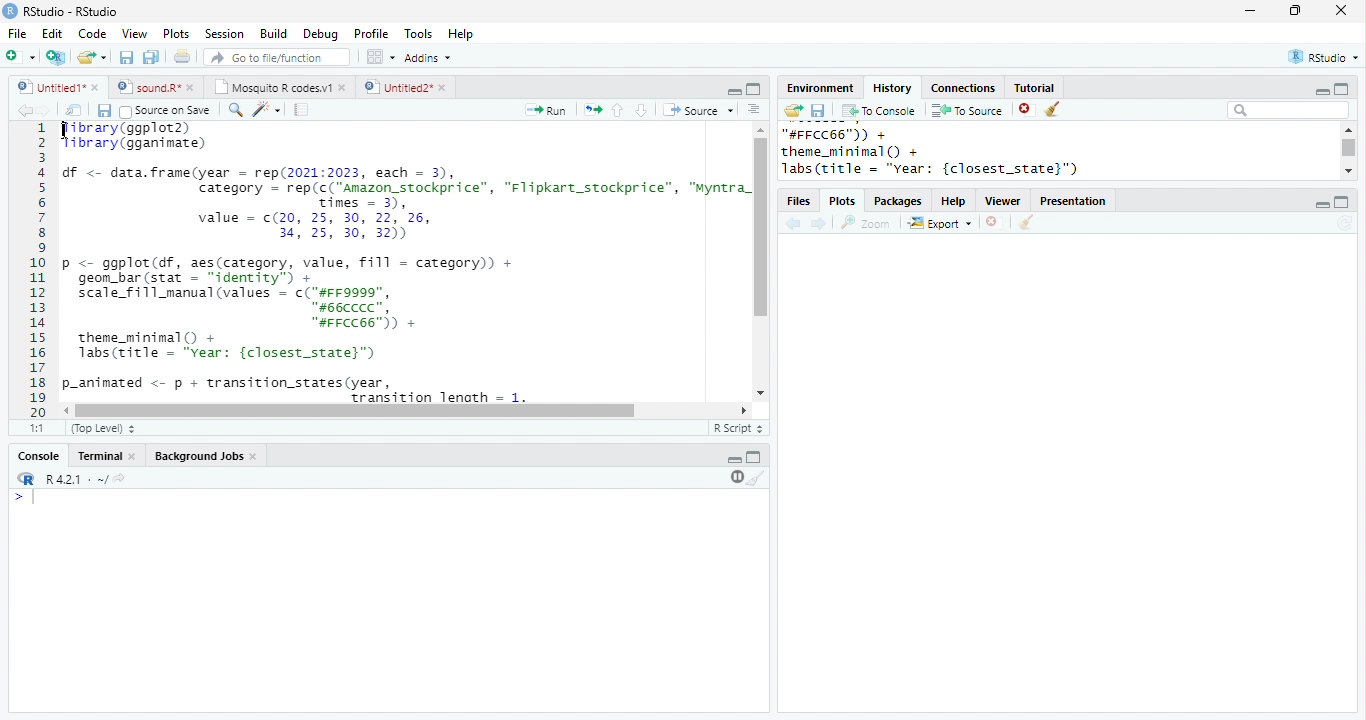 The width and height of the screenshot is (1366, 720). Describe the element at coordinates (798, 201) in the screenshot. I see `Files` at that location.